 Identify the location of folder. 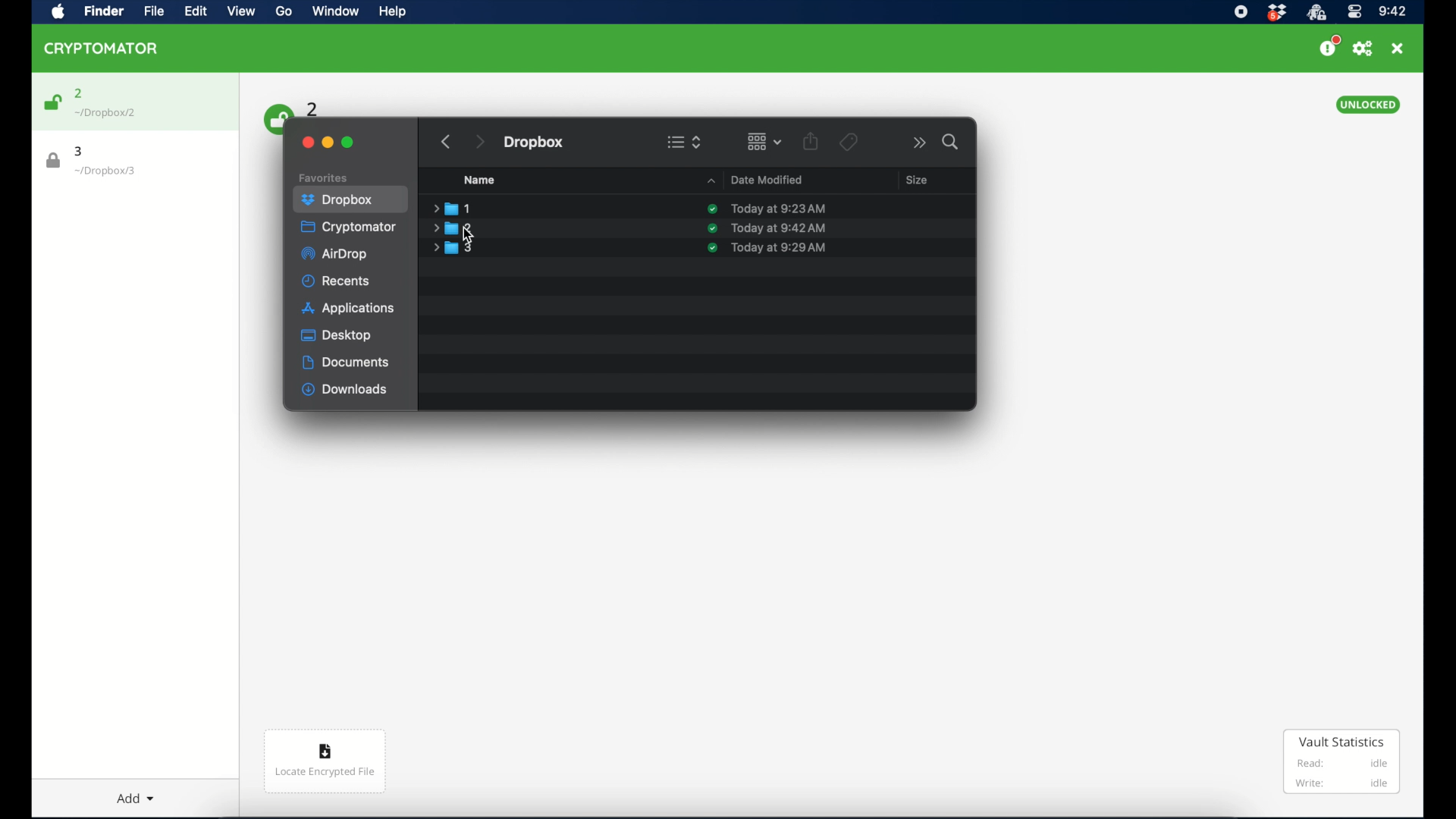
(453, 228).